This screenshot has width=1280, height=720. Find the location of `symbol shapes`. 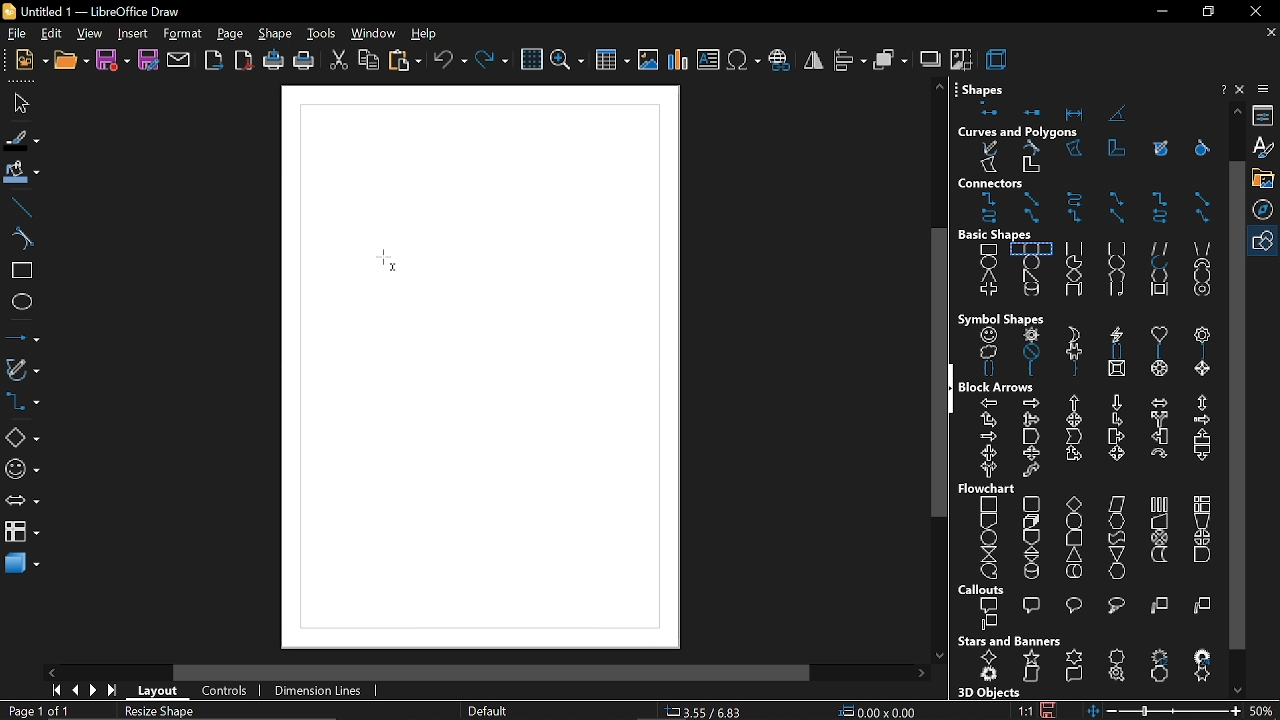

symbol shapes is located at coordinates (1001, 318).